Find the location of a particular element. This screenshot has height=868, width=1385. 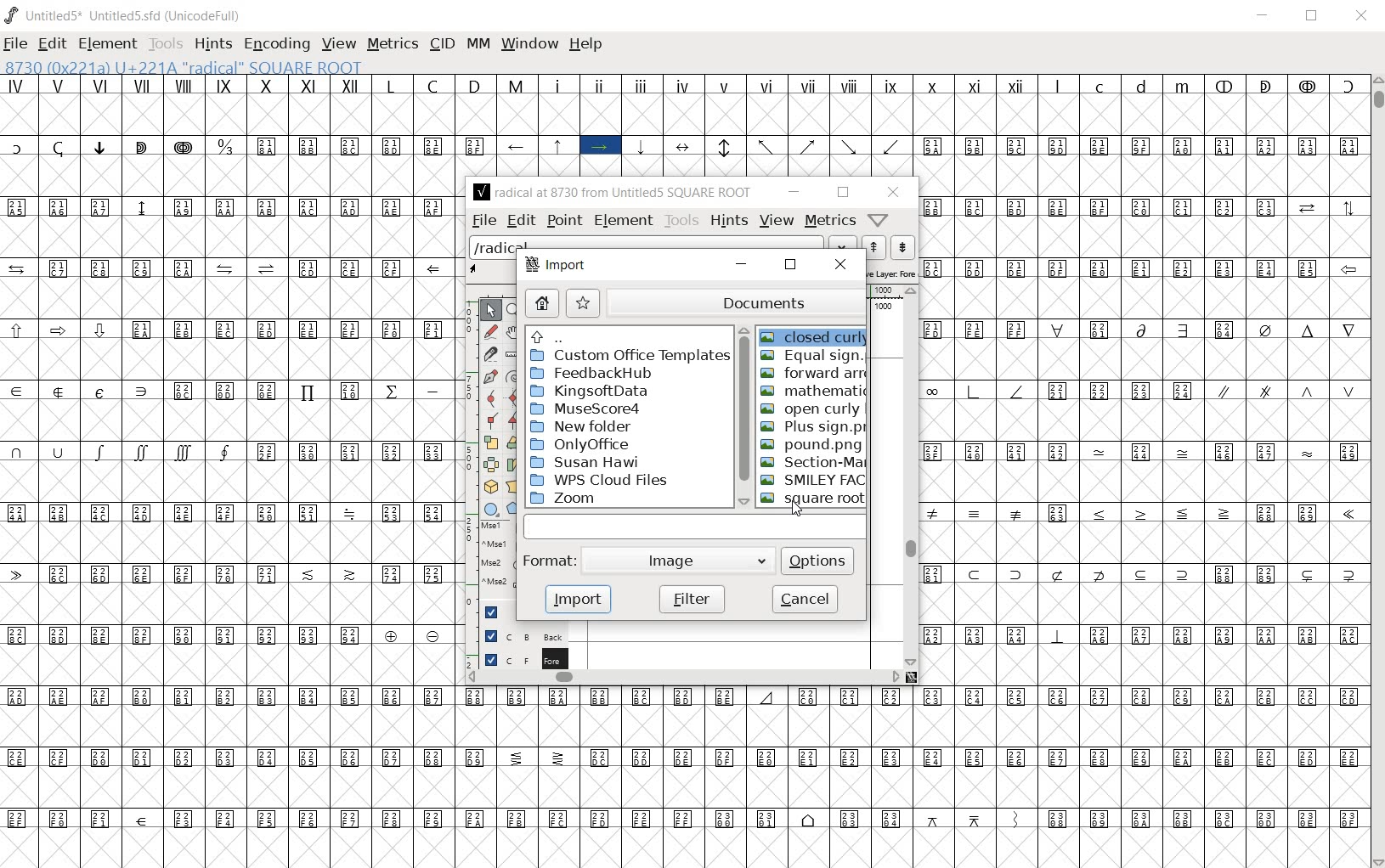

FeedbackHub is located at coordinates (592, 374).